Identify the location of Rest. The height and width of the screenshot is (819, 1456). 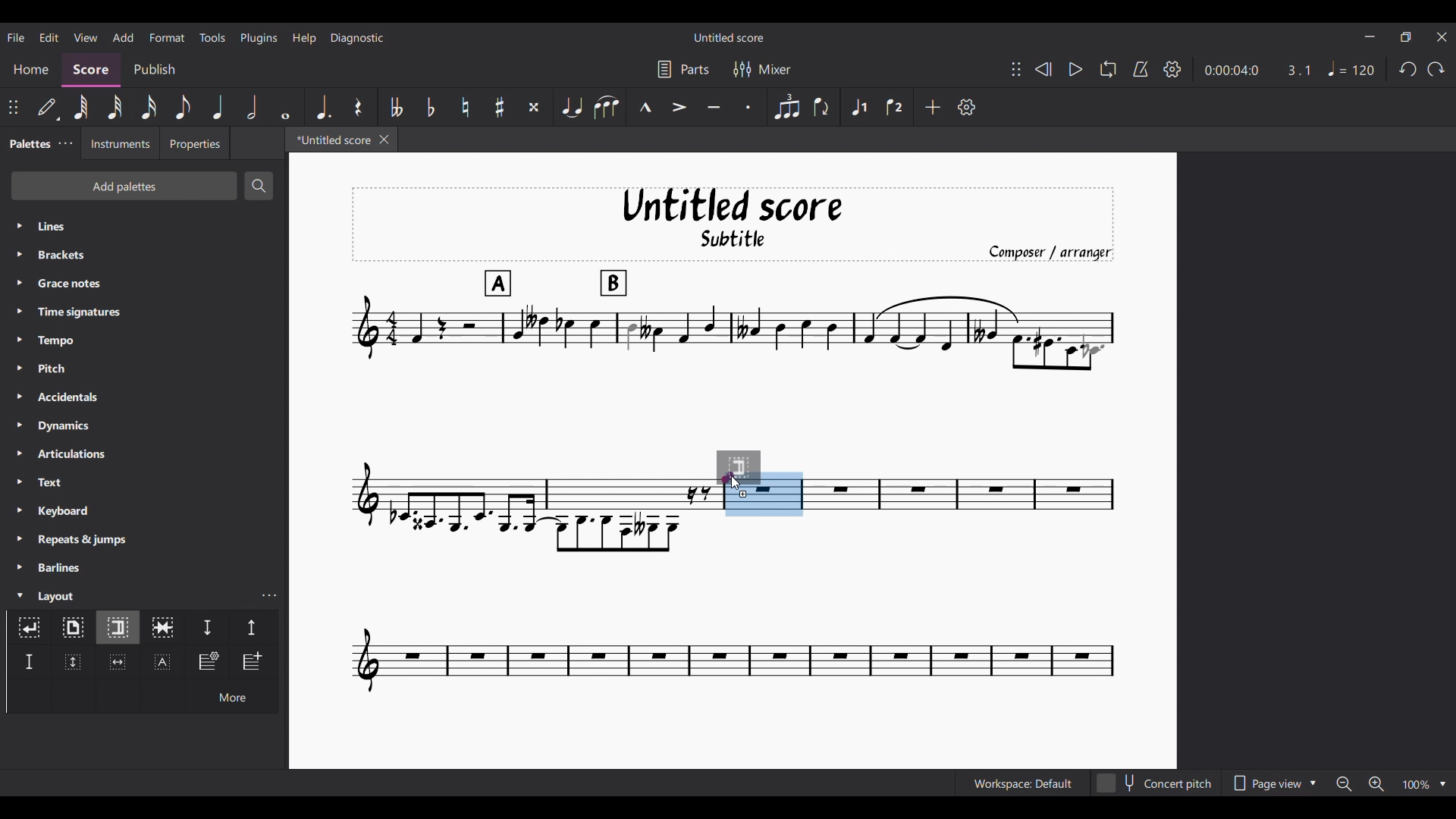
(359, 107).